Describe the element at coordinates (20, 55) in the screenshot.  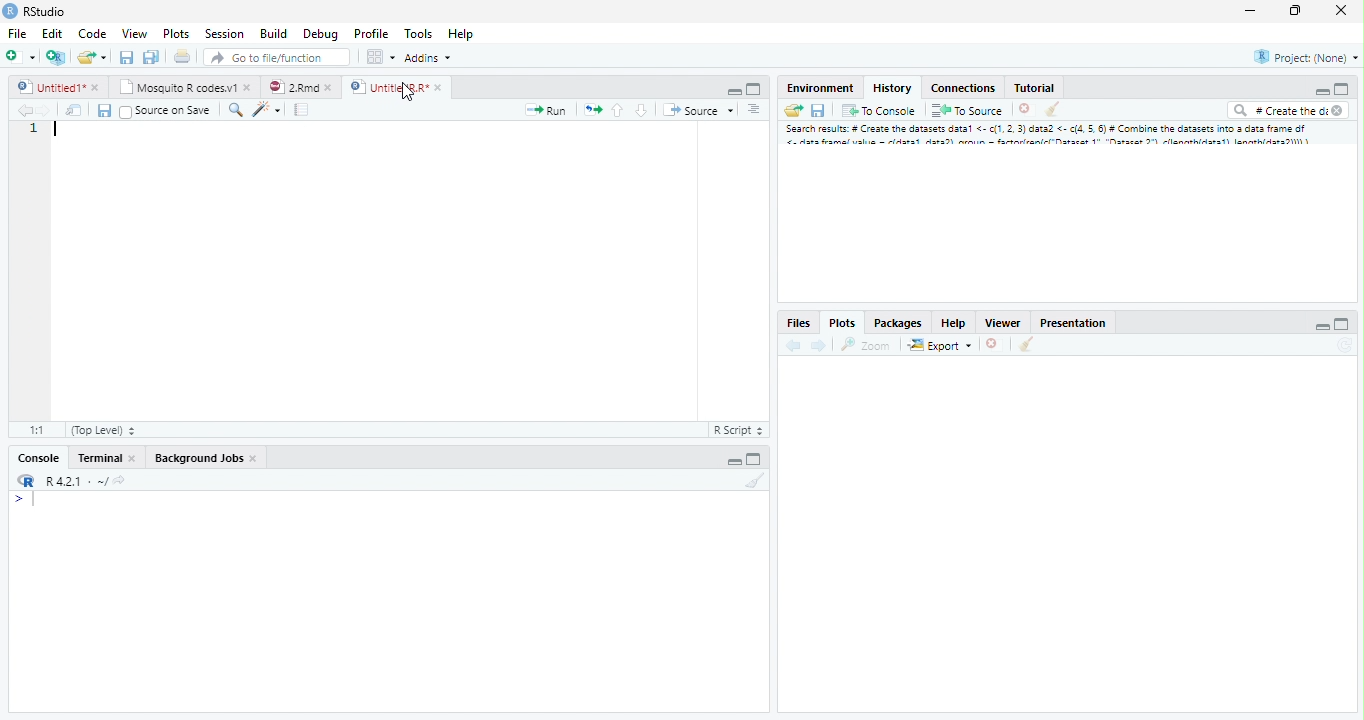
I see `New file` at that location.